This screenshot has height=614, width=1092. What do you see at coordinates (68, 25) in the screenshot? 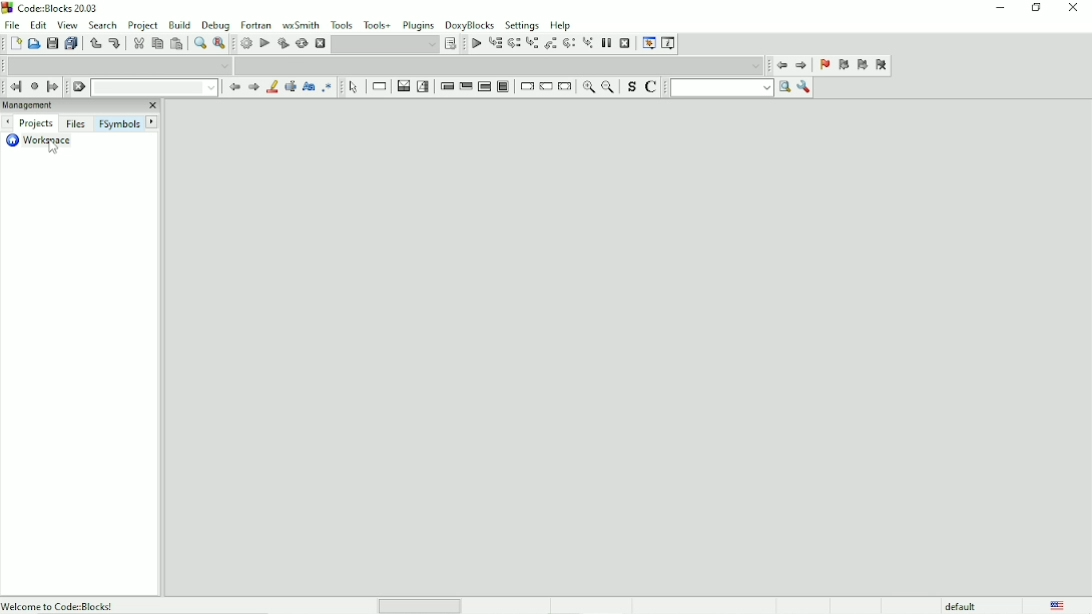
I see `View` at bounding box center [68, 25].